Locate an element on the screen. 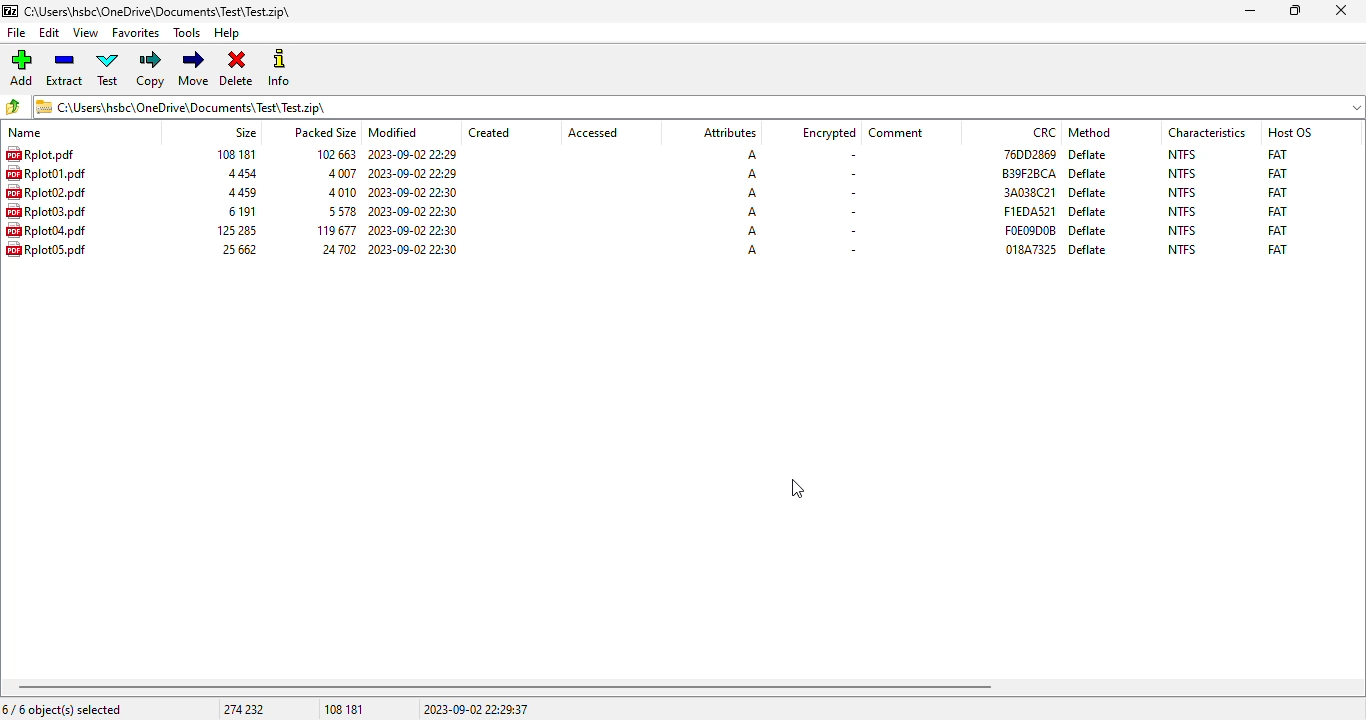 The width and height of the screenshot is (1366, 720). attributes is located at coordinates (728, 133).